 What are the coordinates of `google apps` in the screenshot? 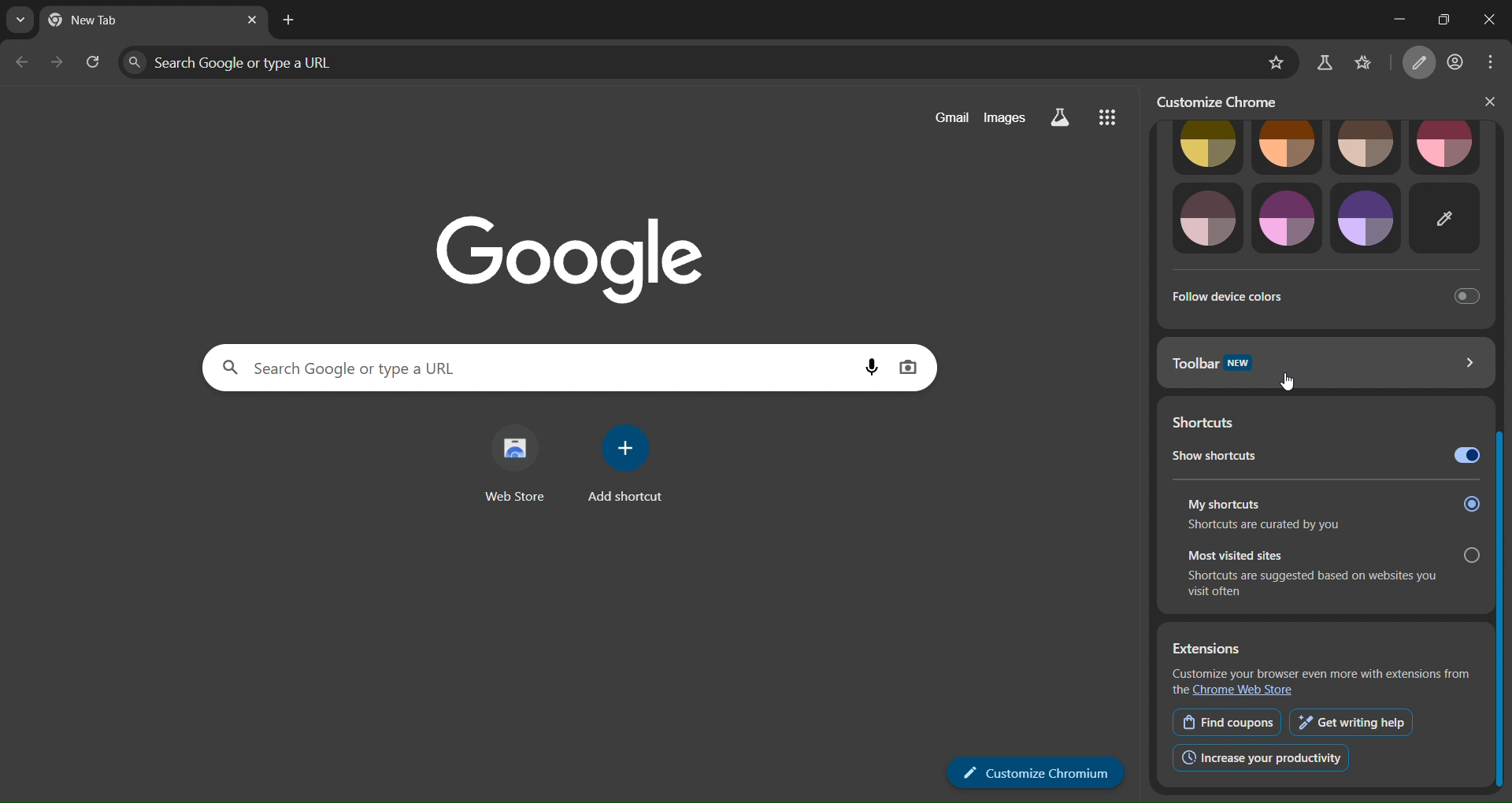 It's located at (1115, 120).